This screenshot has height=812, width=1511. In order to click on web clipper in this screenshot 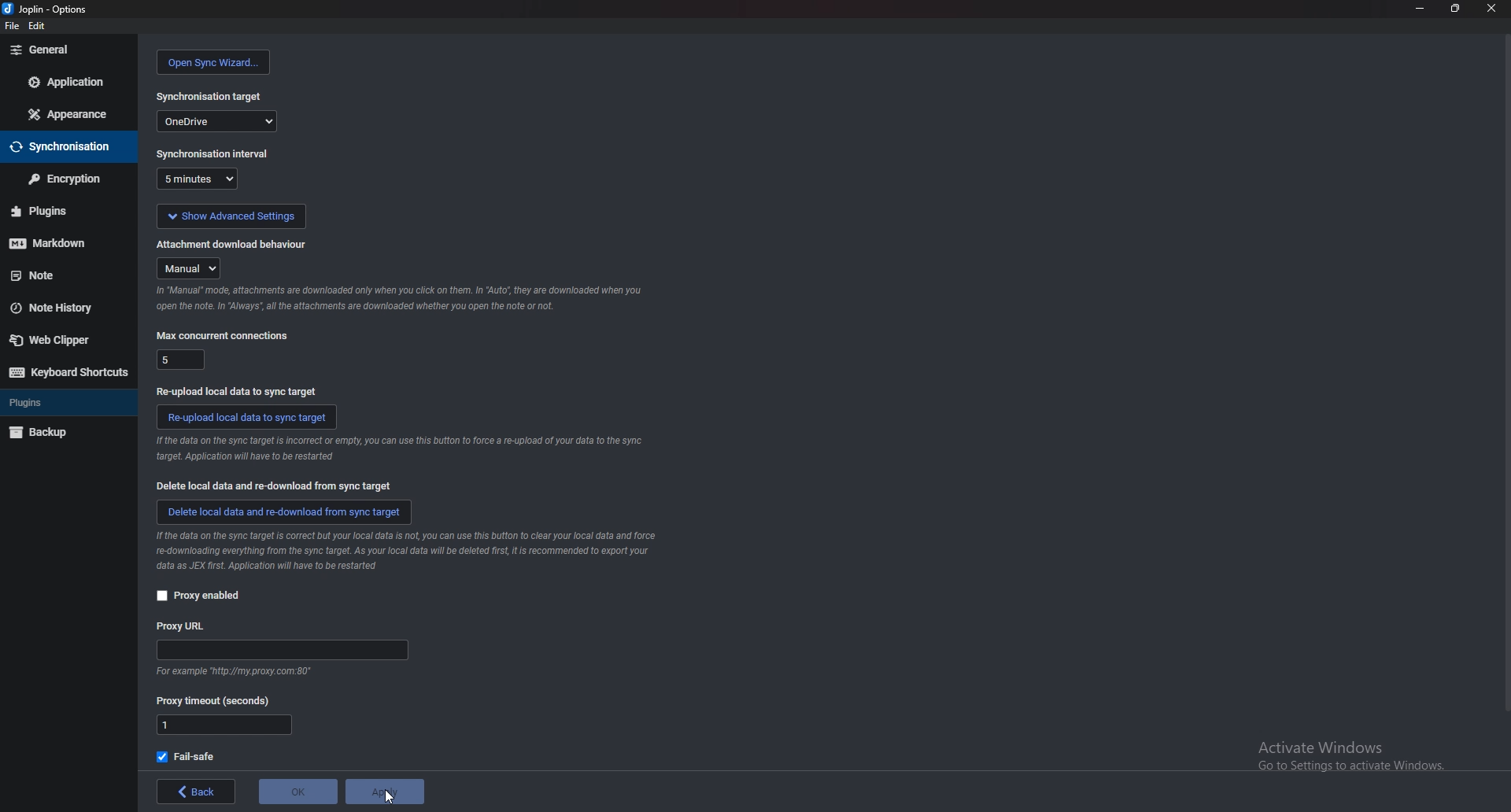, I will do `click(59, 341)`.